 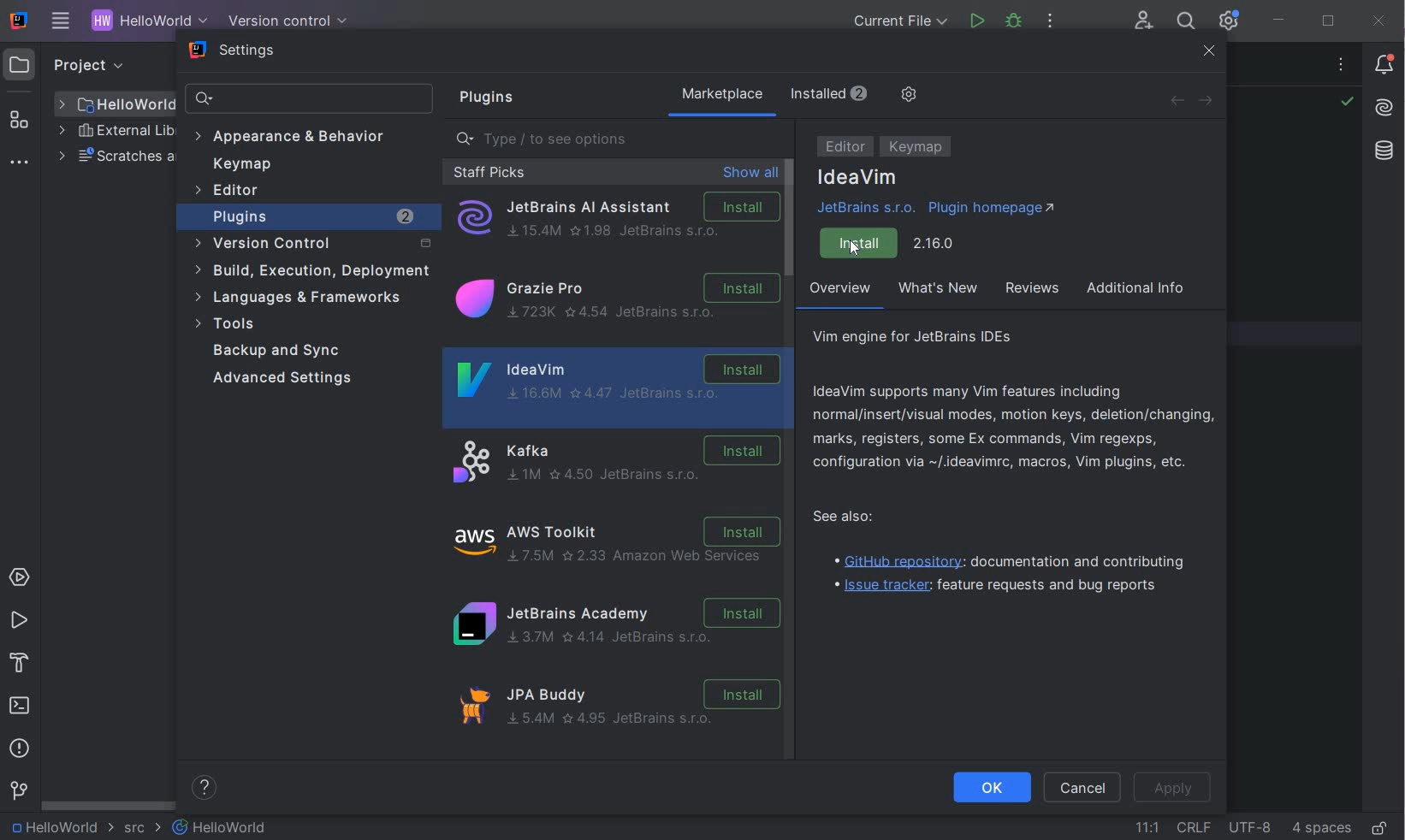 What do you see at coordinates (116, 133) in the screenshot?
I see `EXTERNAL LIBRARIES` at bounding box center [116, 133].